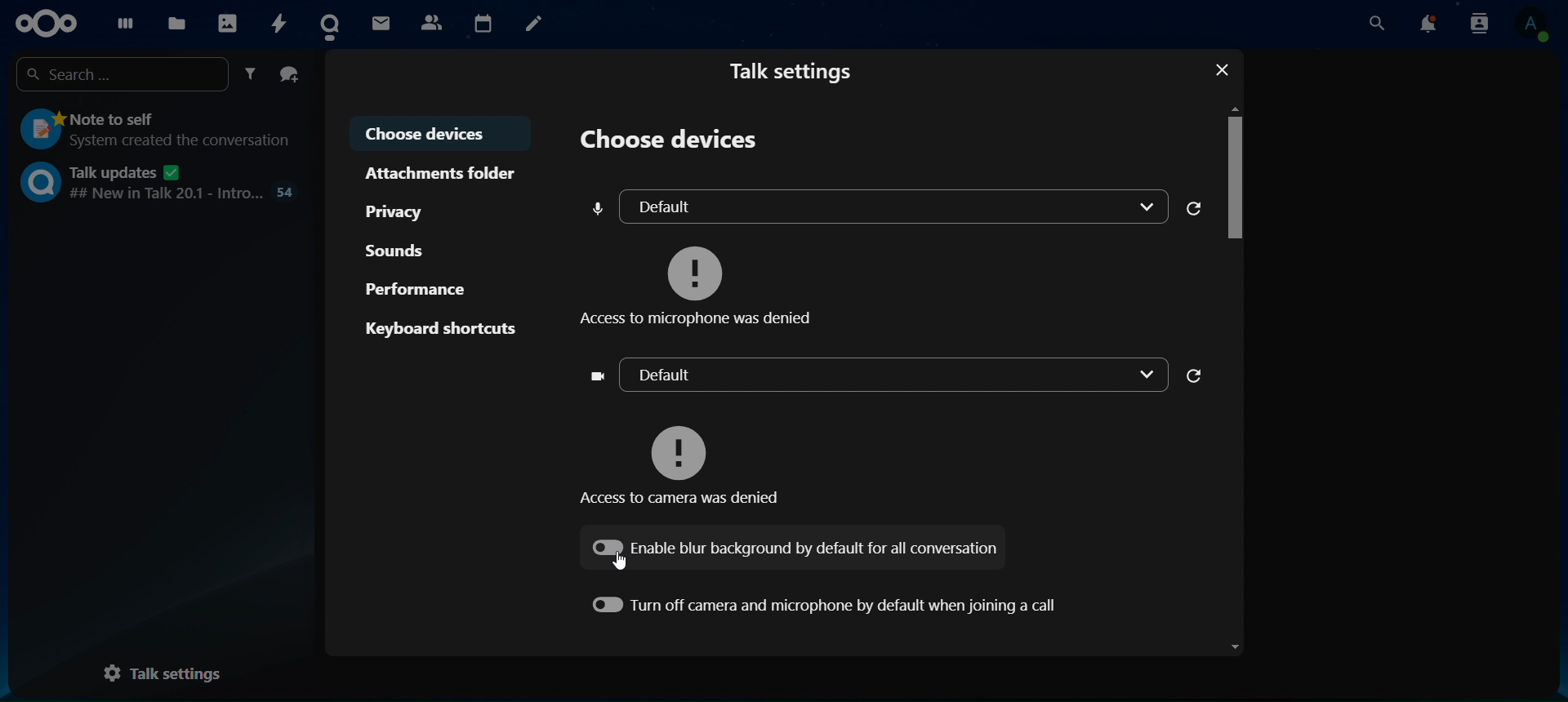  Describe the element at coordinates (792, 73) in the screenshot. I see `talk settings` at that location.